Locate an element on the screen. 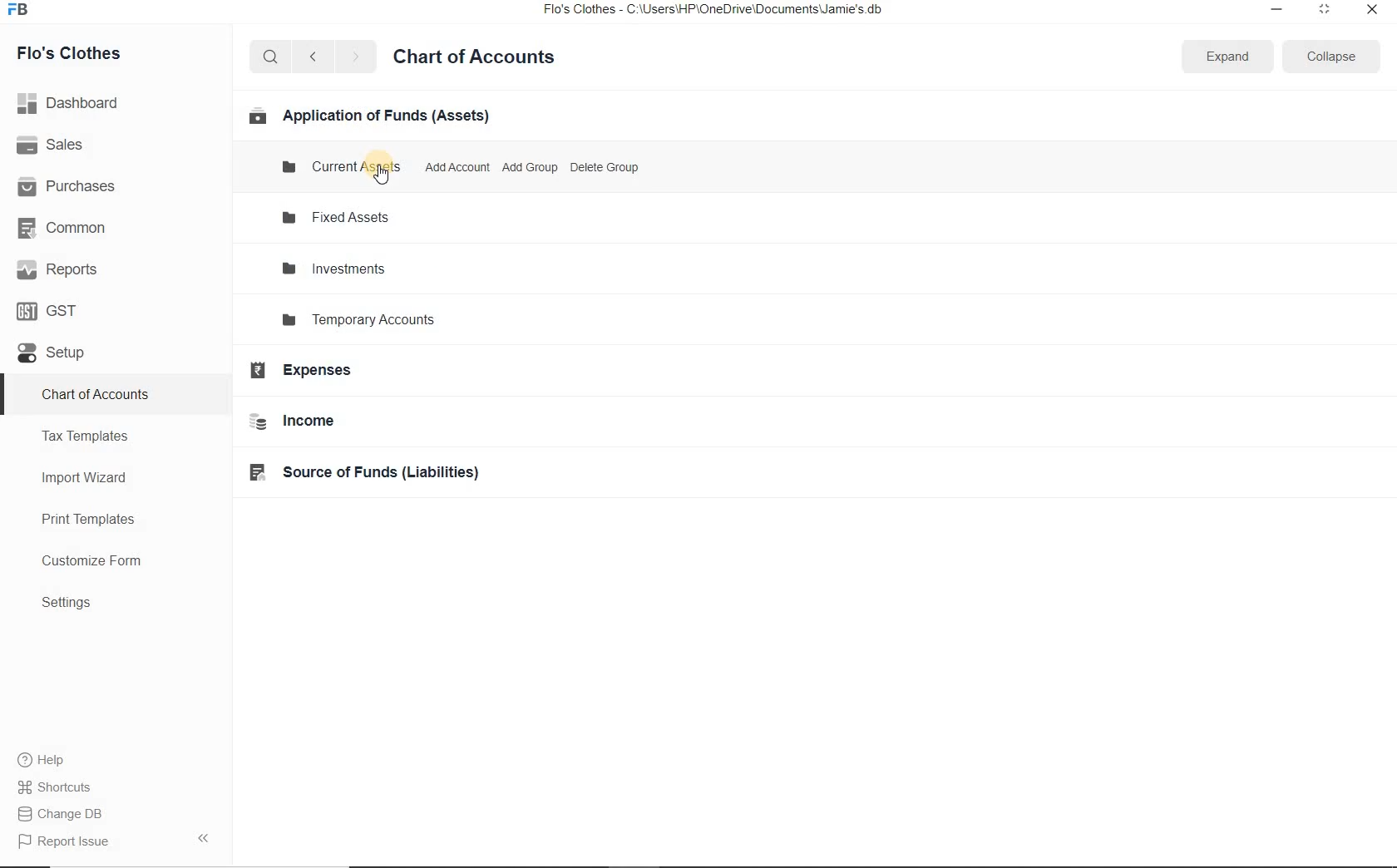 This screenshot has height=868, width=1397. GST is located at coordinates (54, 309).